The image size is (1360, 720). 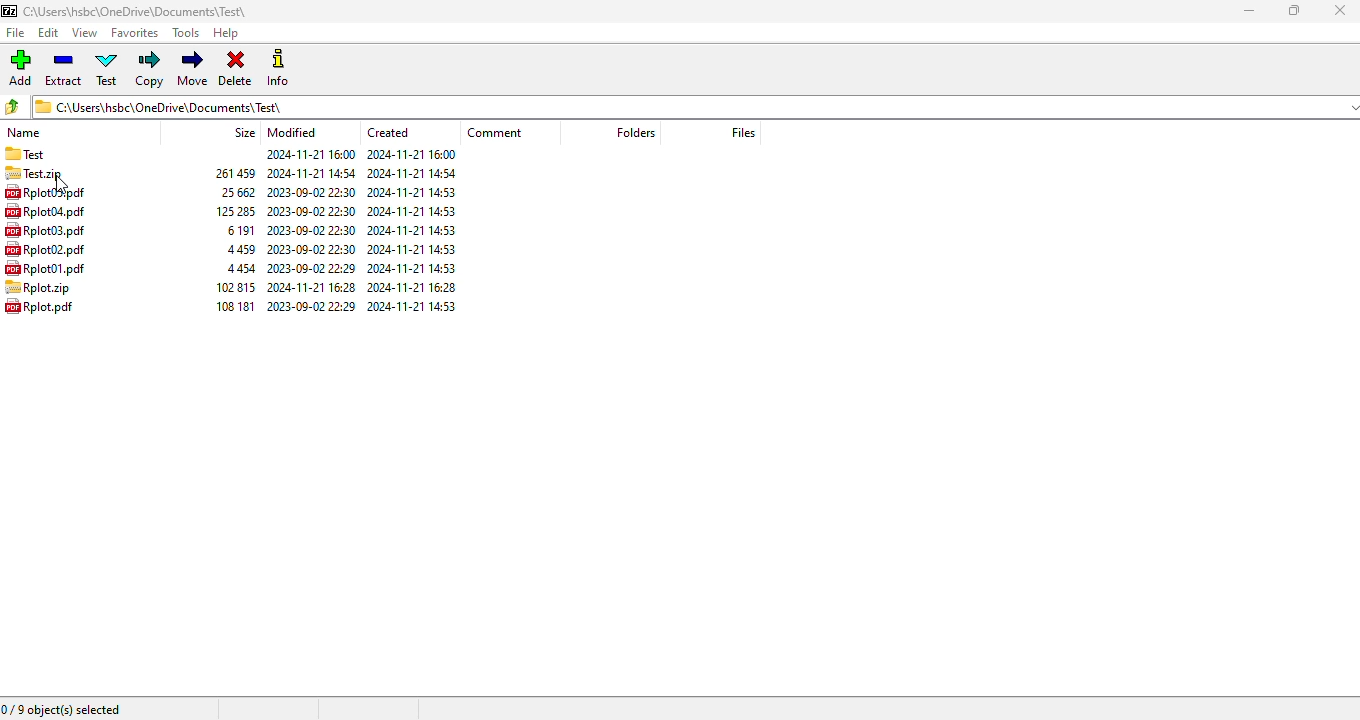 What do you see at coordinates (38, 287) in the screenshot?
I see `file` at bounding box center [38, 287].